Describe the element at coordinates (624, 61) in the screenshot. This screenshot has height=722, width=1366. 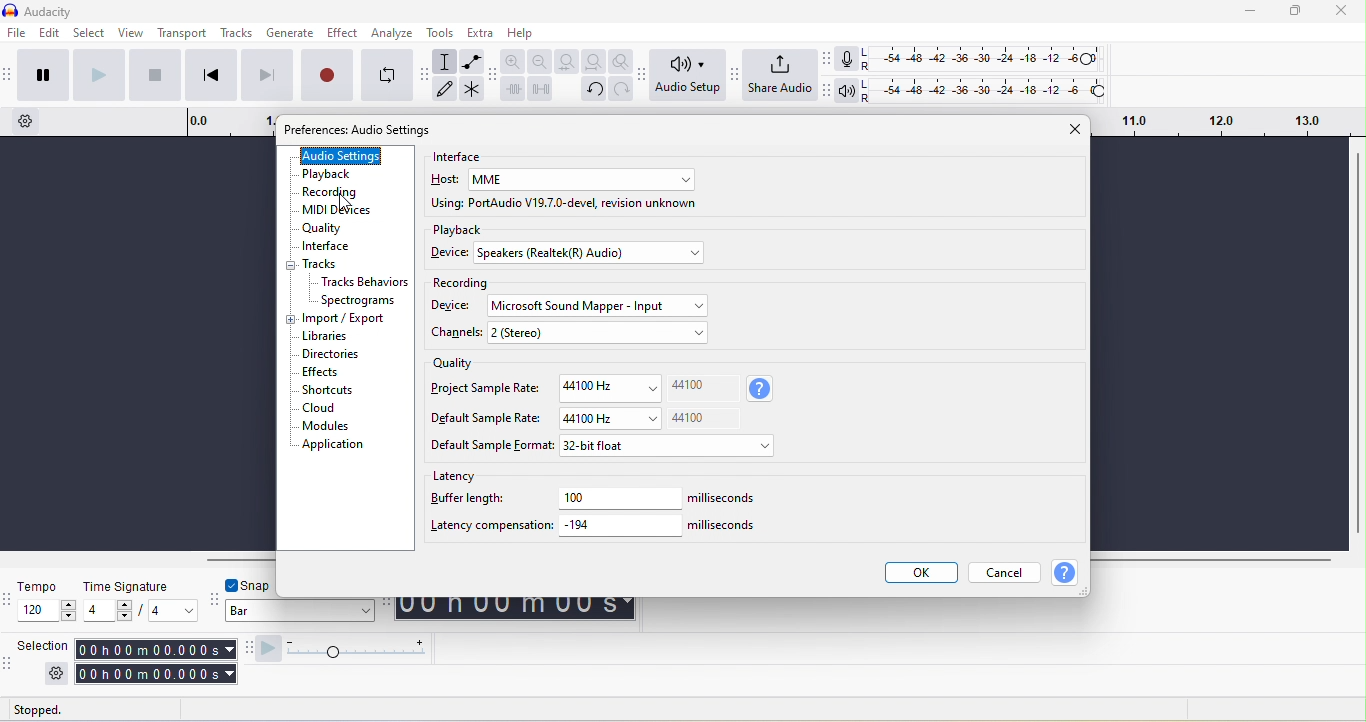
I see `zoom toggle` at that location.